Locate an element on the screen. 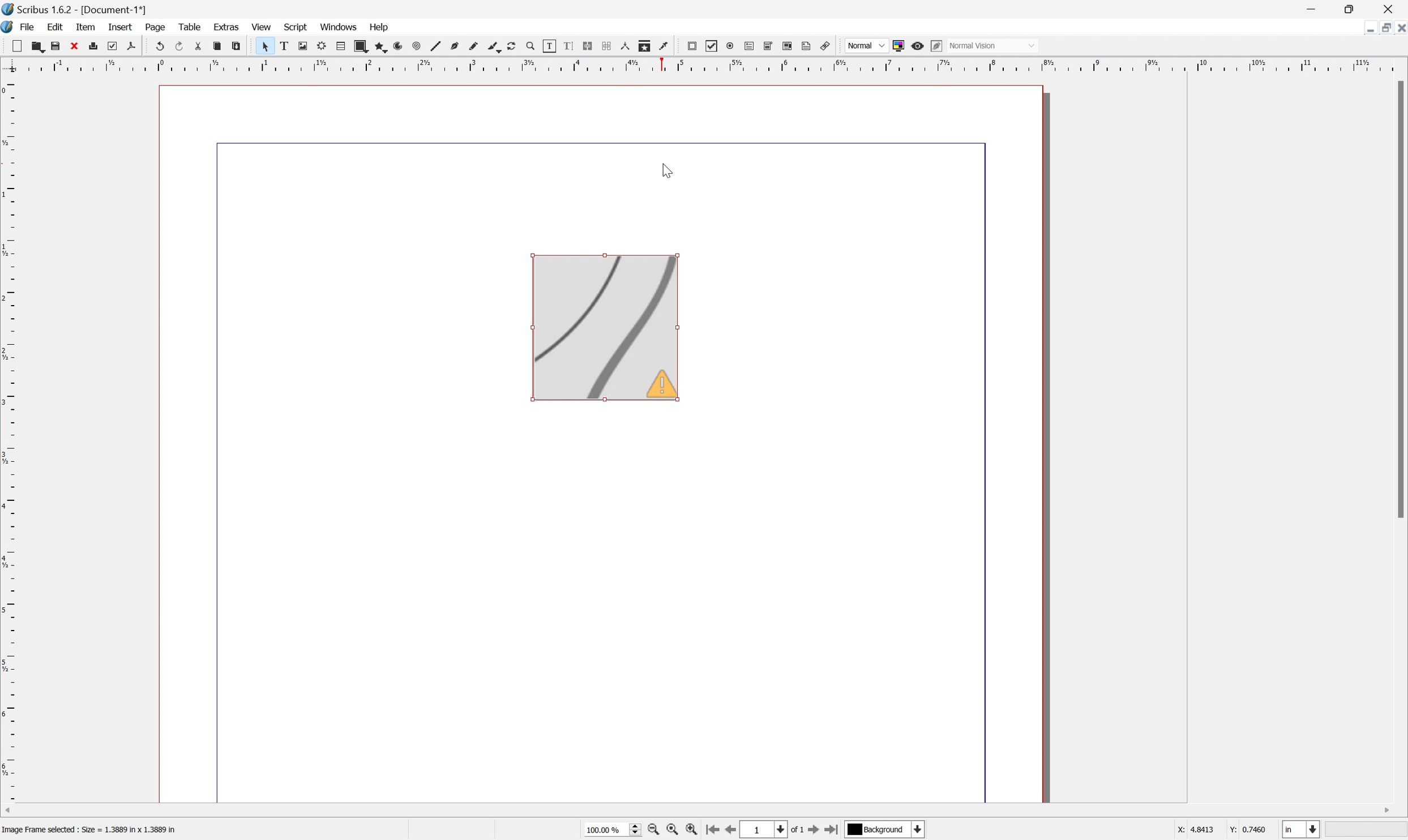  Render frame is located at coordinates (324, 46).